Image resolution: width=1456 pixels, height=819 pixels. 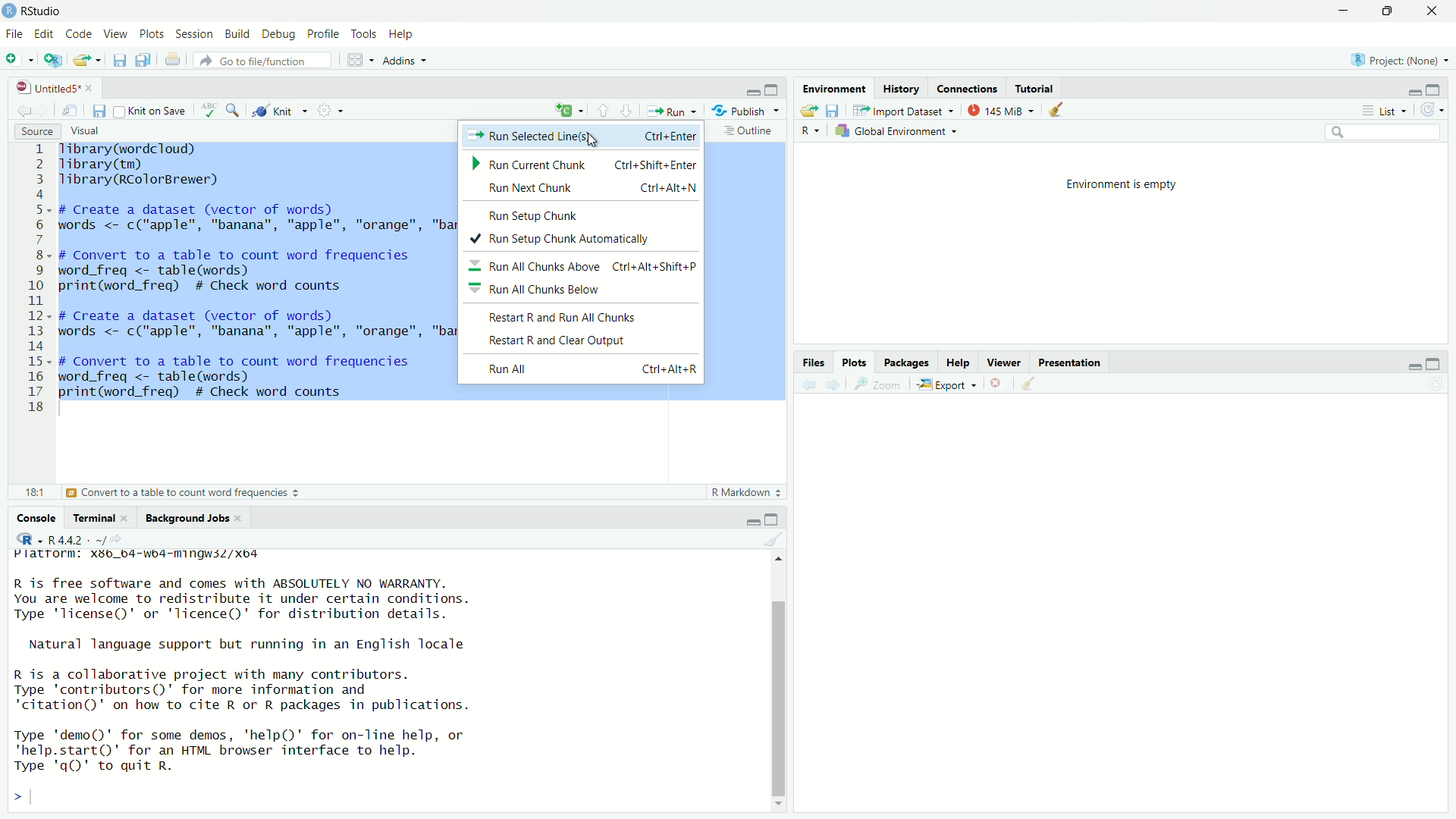 I want to click on Plots, so click(x=152, y=34).